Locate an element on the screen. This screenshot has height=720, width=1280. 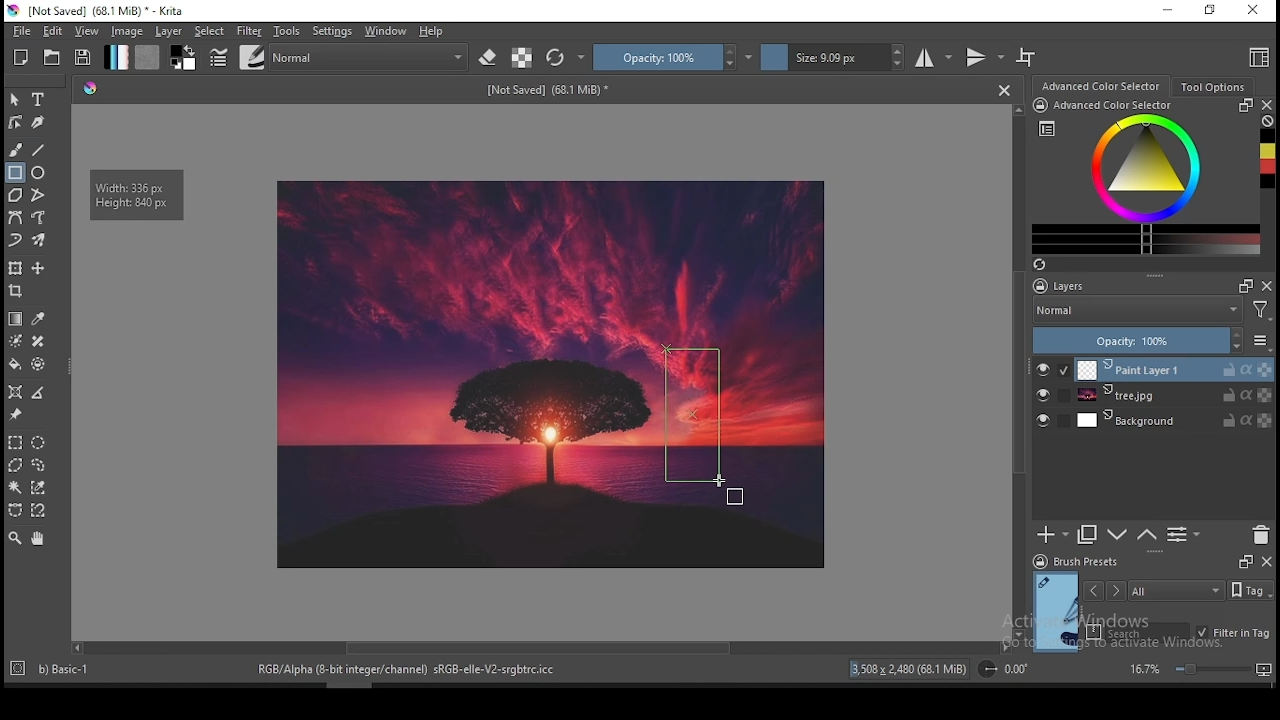
help is located at coordinates (432, 32).